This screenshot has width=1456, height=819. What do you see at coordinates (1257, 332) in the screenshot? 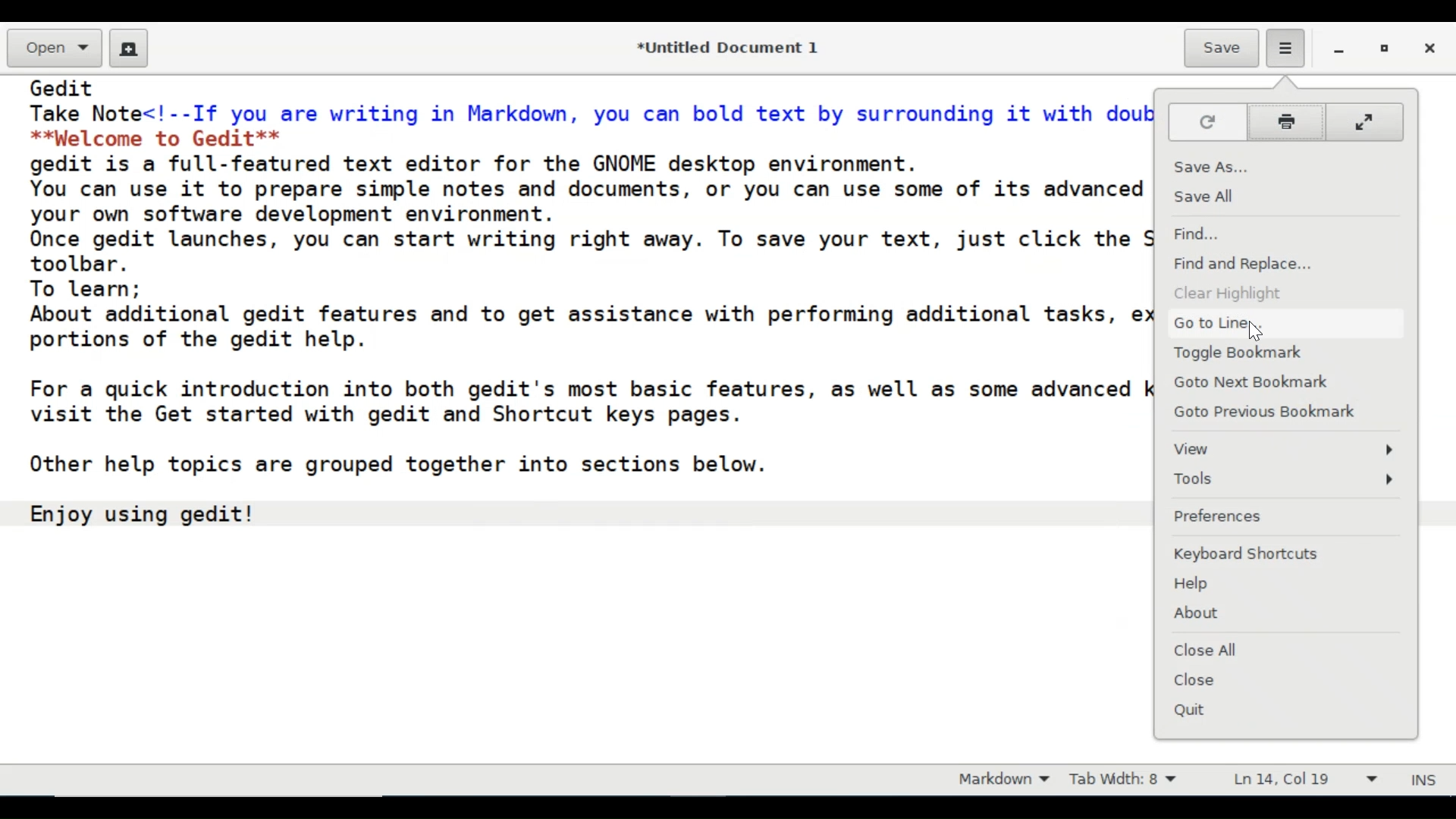
I see `Cursor` at bounding box center [1257, 332].